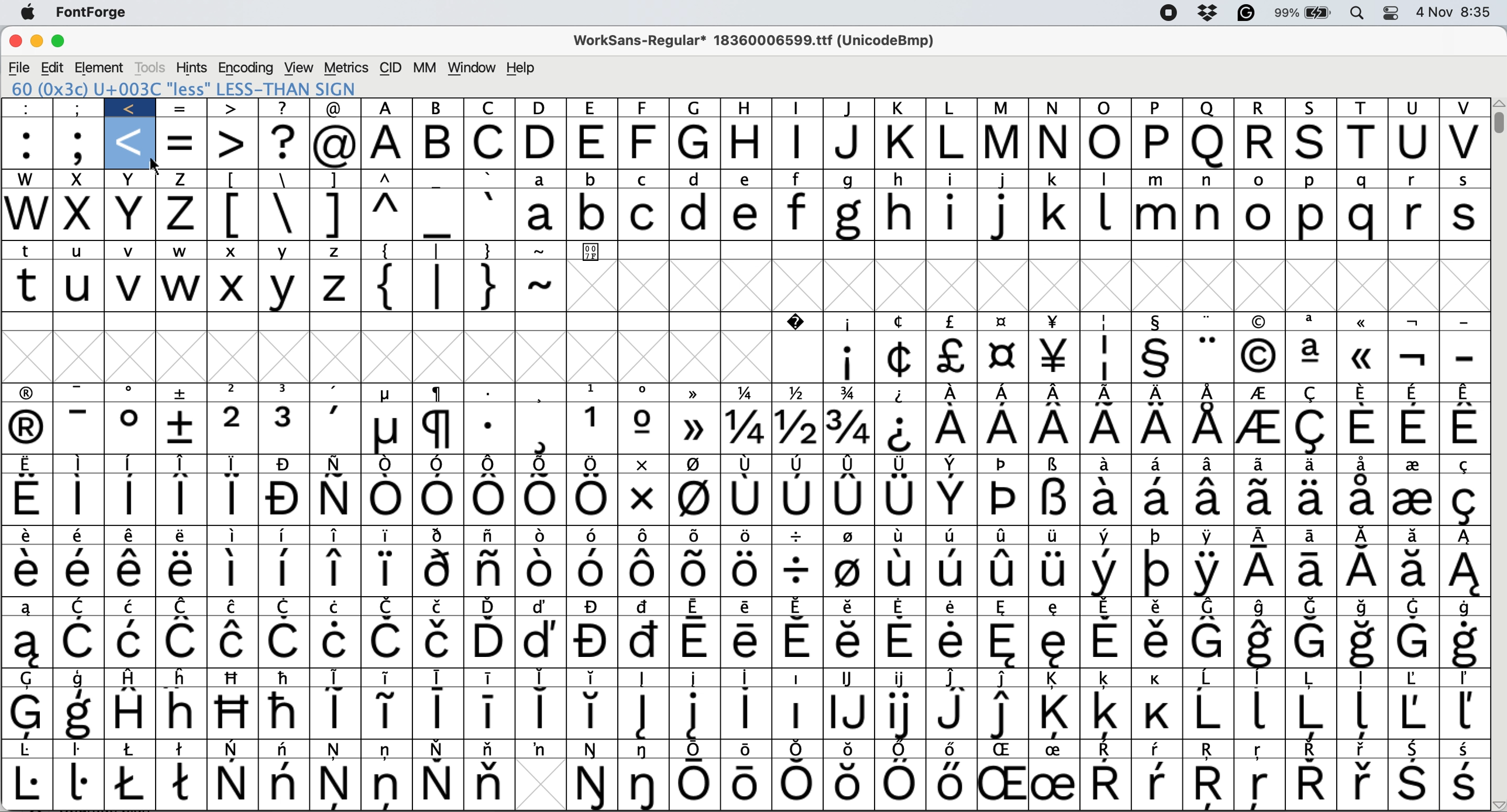 Image resolution: width=1507 pixels, height=812 pixels. Describe the element at coordinates (1412, 679) in the screenshot. I see `Symbol` at that location.